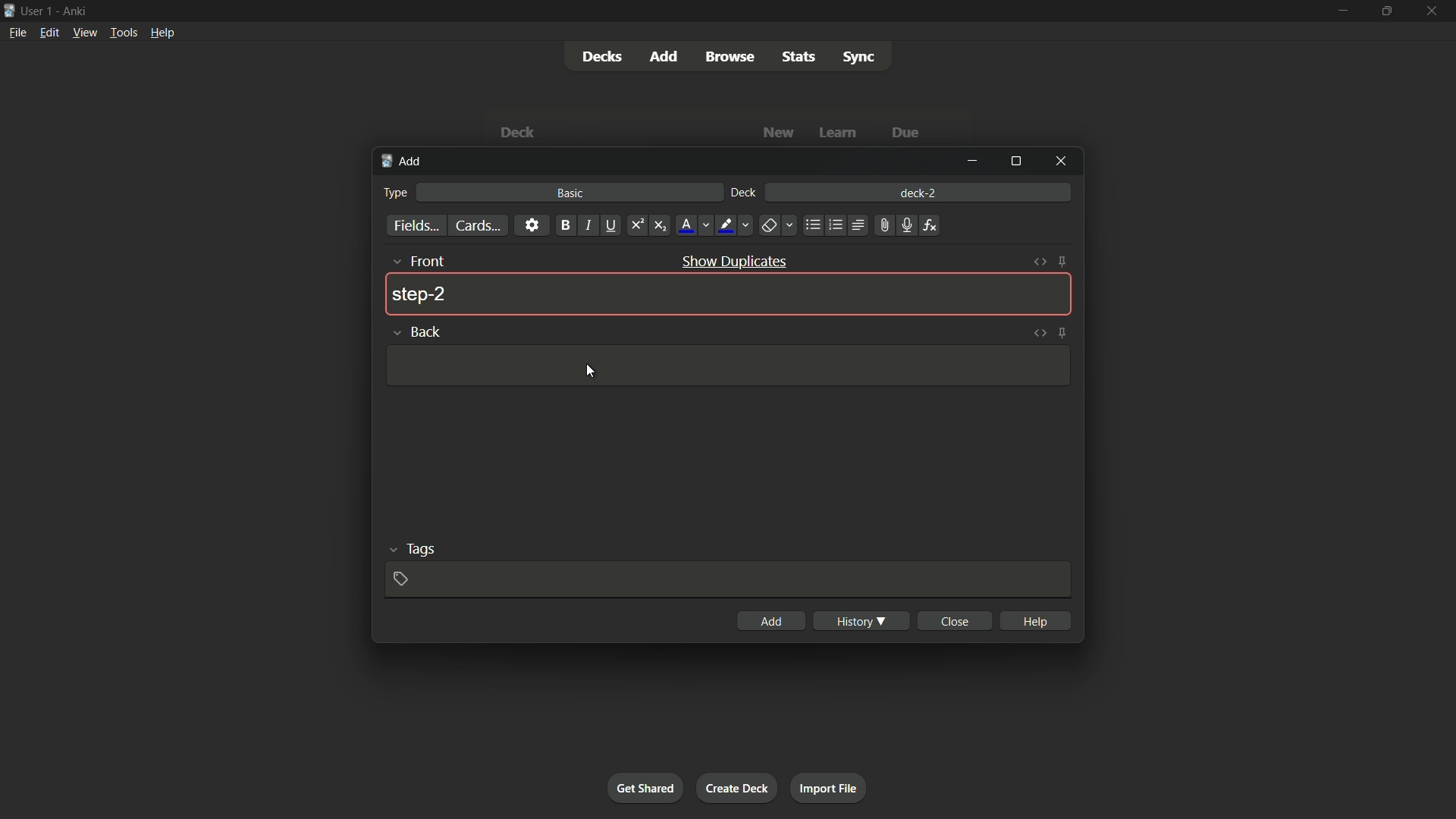  Describe the element at coordinates (417, 260) in the screenshot. I see `front` at that location.